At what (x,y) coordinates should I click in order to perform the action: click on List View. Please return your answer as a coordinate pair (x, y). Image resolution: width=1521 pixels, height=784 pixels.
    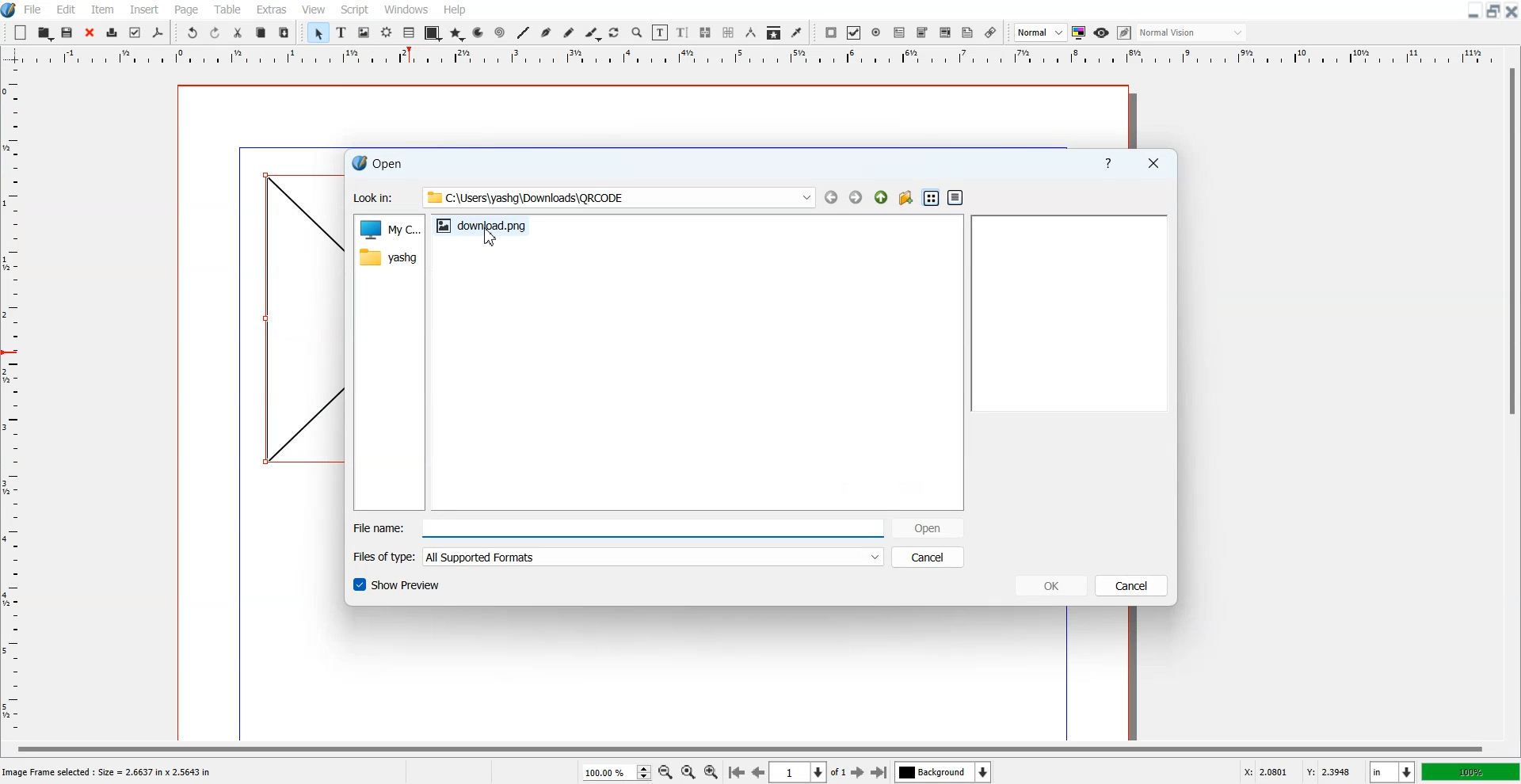
    Looking at the image, I should click on (932, 197).